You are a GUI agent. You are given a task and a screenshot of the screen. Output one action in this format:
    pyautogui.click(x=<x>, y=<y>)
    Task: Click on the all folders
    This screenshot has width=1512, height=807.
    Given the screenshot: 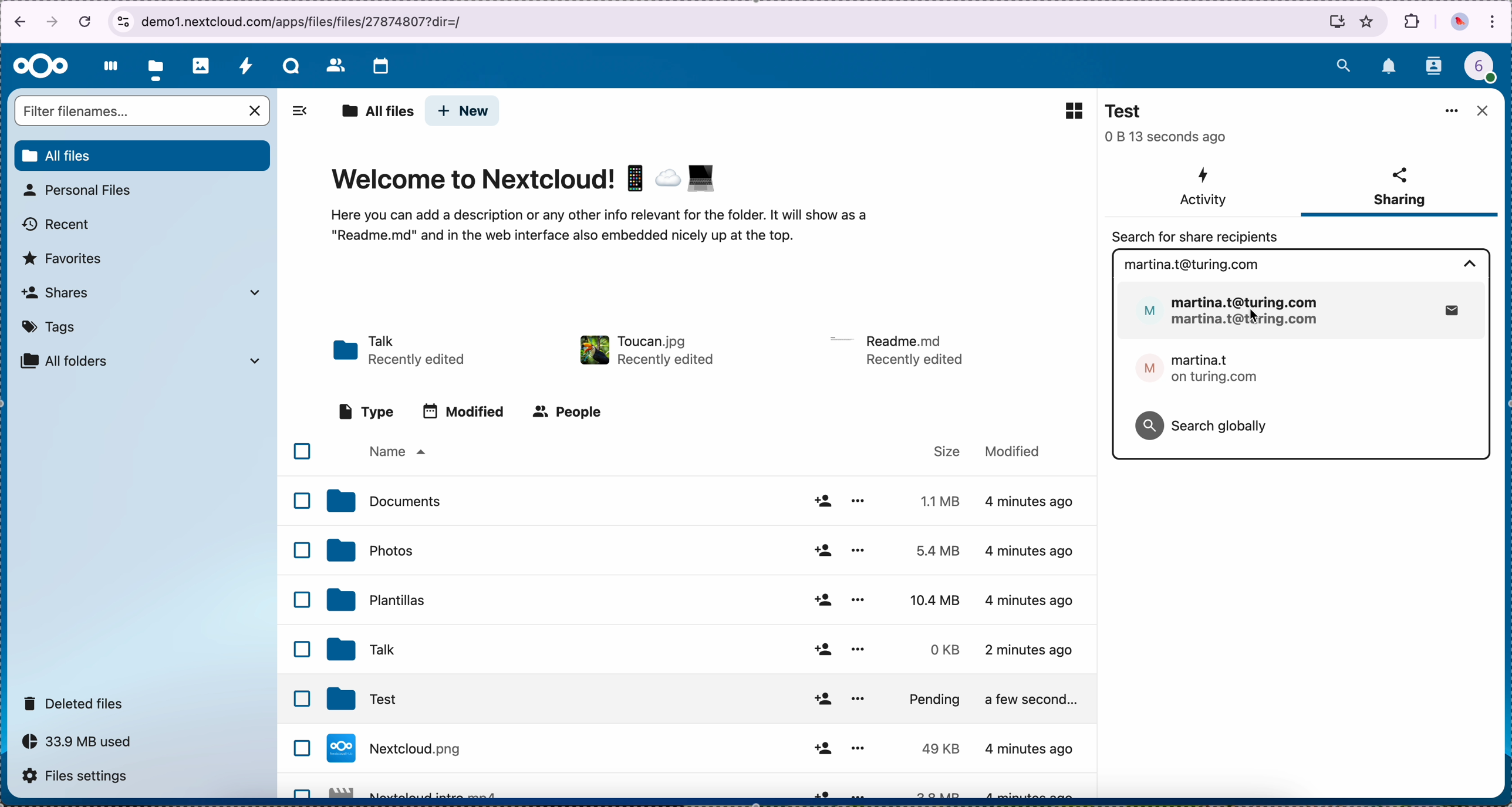 What is the action you would take?
    pyautogui.click(x=141, y=361)
    